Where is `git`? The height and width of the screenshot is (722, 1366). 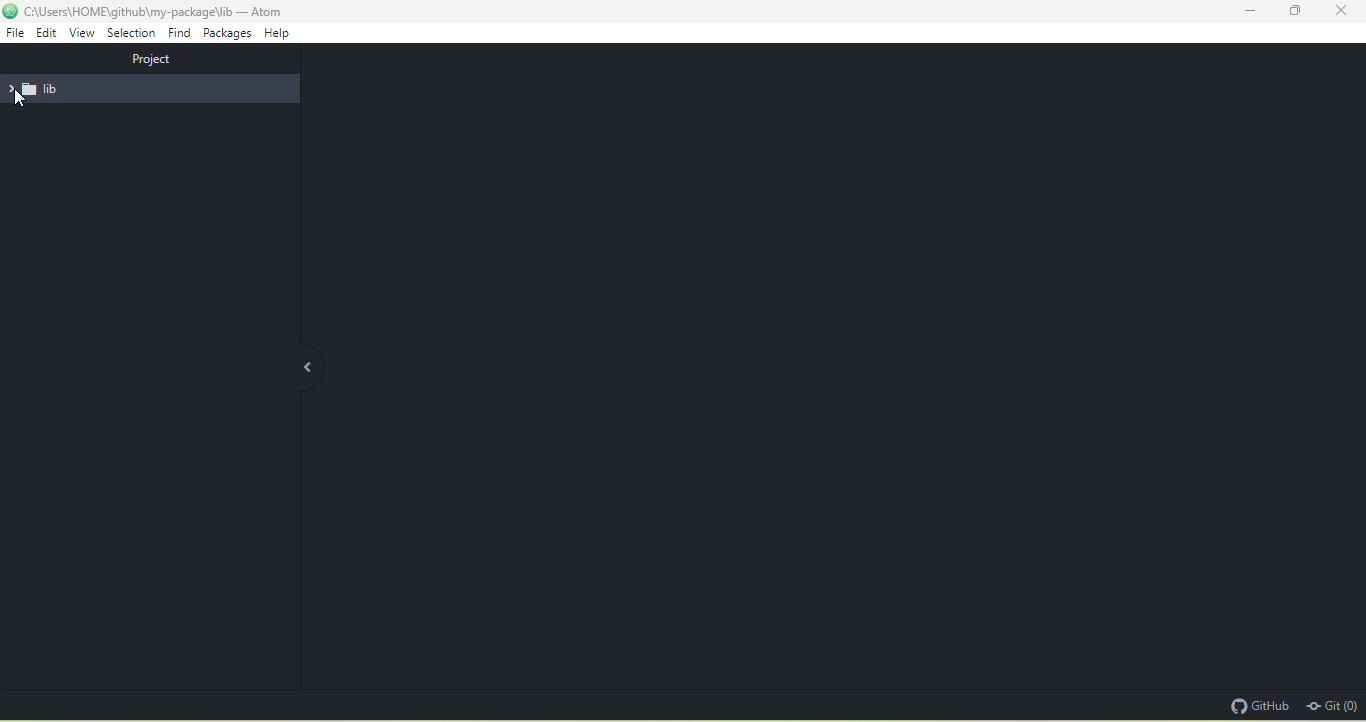 git is located at coordinates (1331, 705).